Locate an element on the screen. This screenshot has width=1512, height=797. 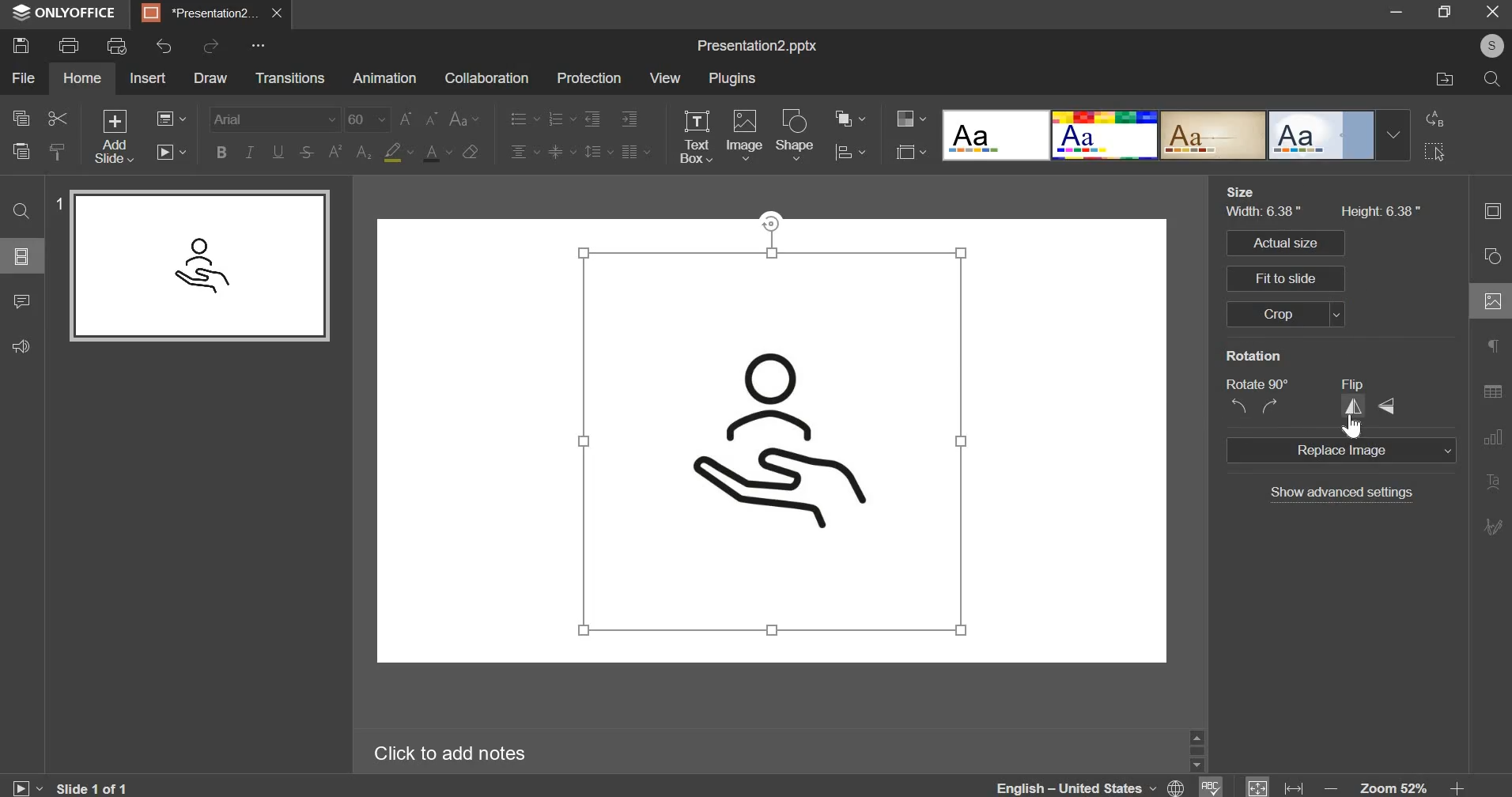
protection is located at coordinates (589, 78).